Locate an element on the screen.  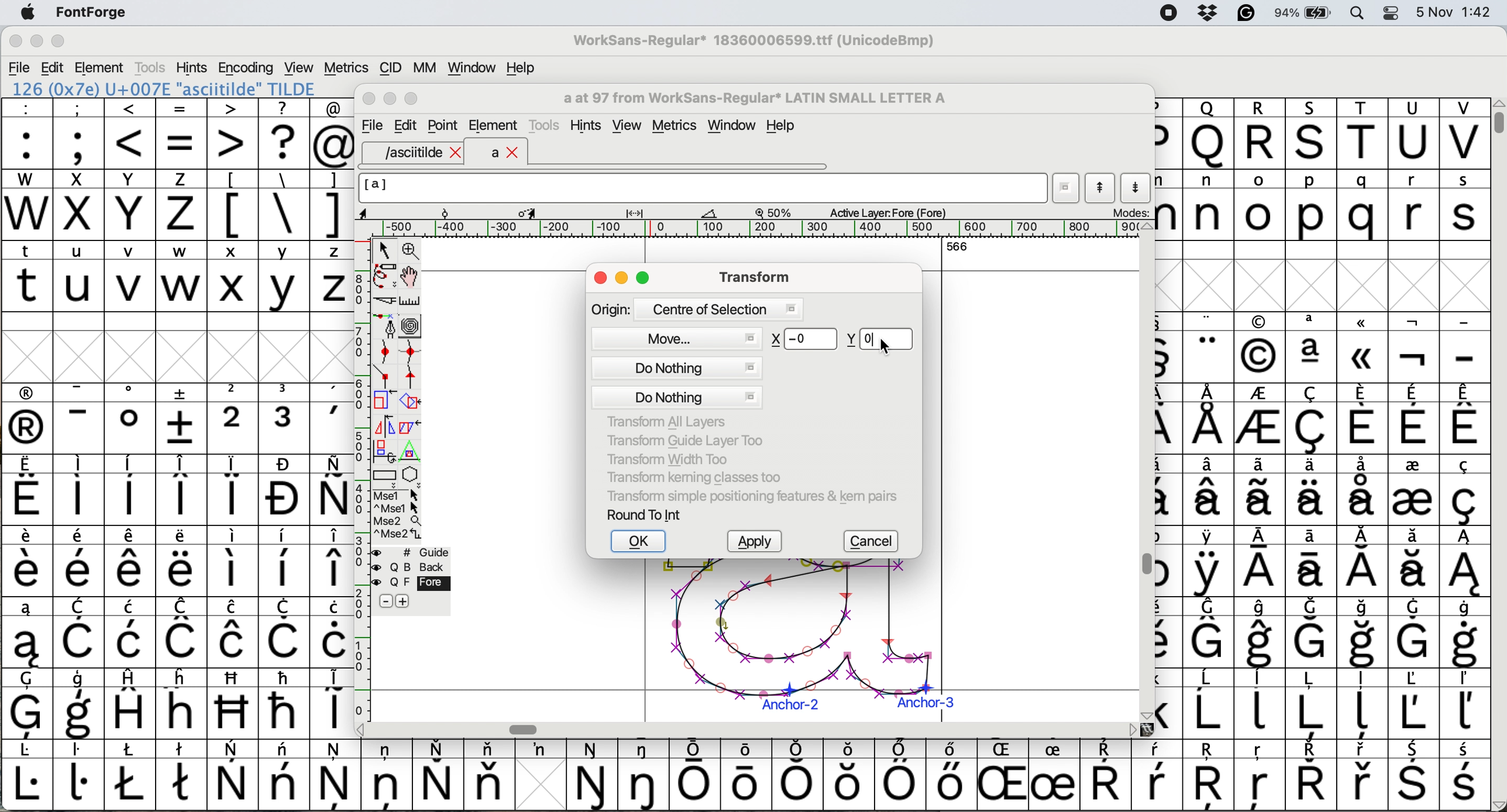
glyph name is located at coordinates (753, 98).